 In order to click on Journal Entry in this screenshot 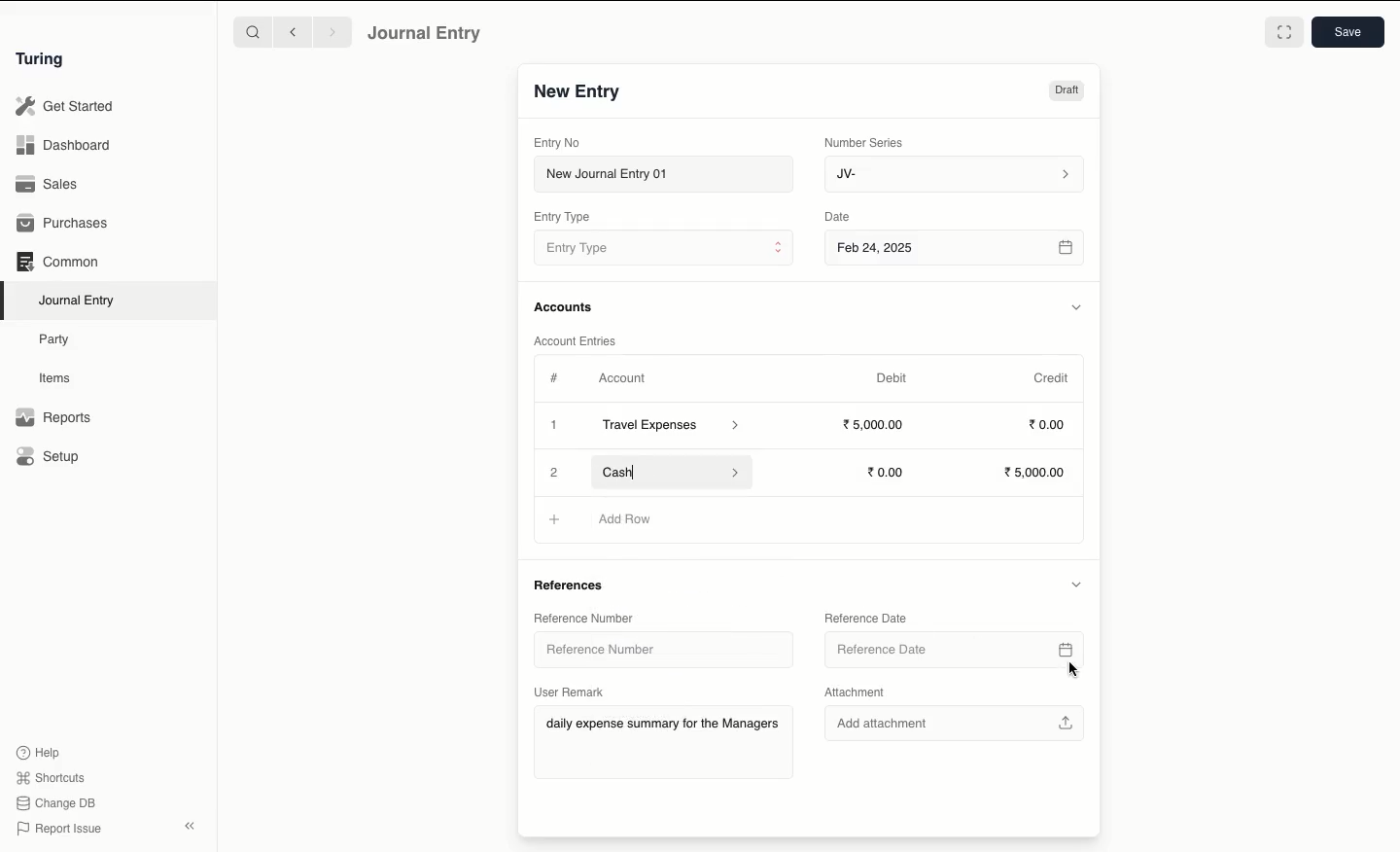, I will do `click(426, 34)`.